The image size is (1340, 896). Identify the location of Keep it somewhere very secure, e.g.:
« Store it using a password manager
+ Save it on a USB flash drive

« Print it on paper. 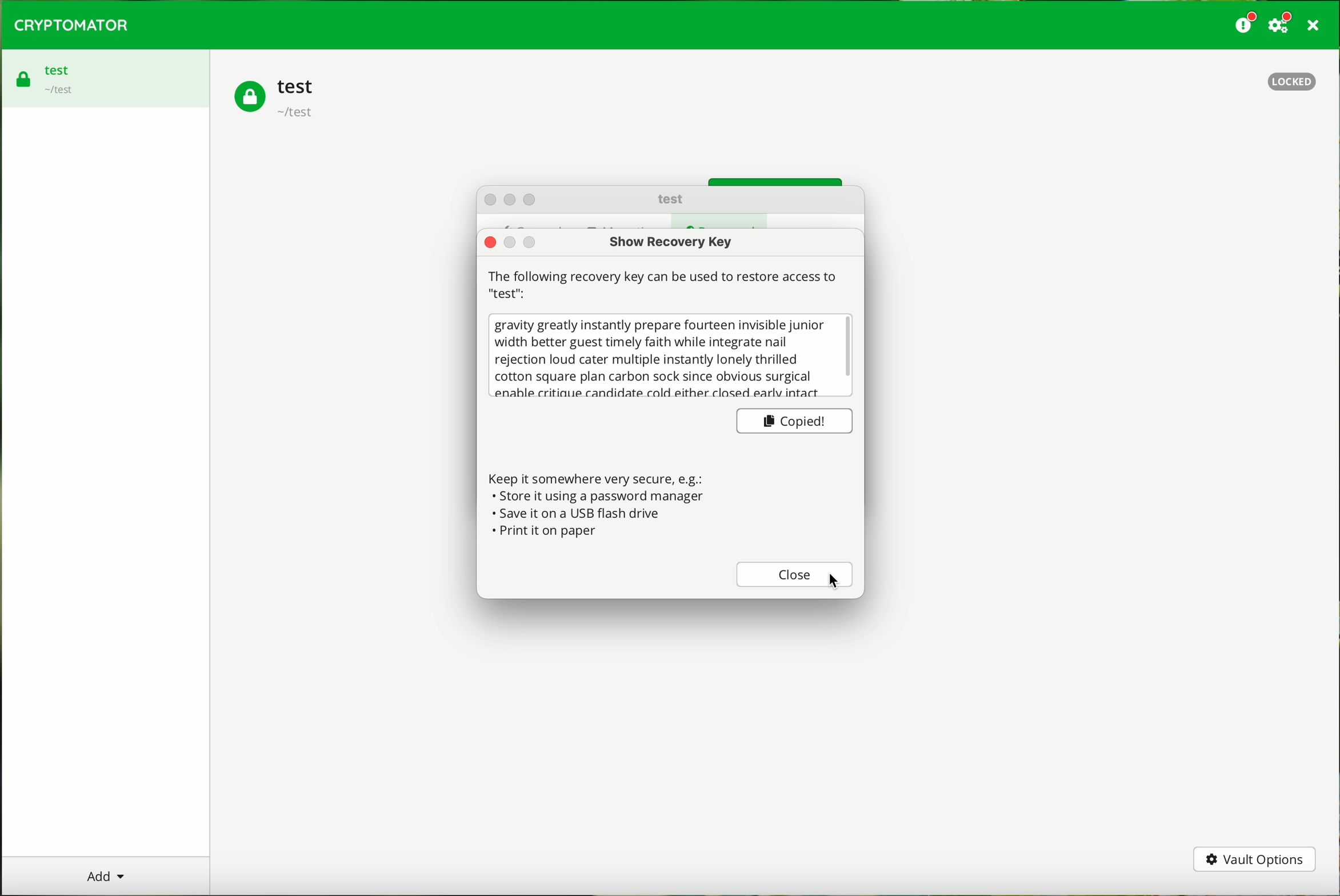
(599, 510).